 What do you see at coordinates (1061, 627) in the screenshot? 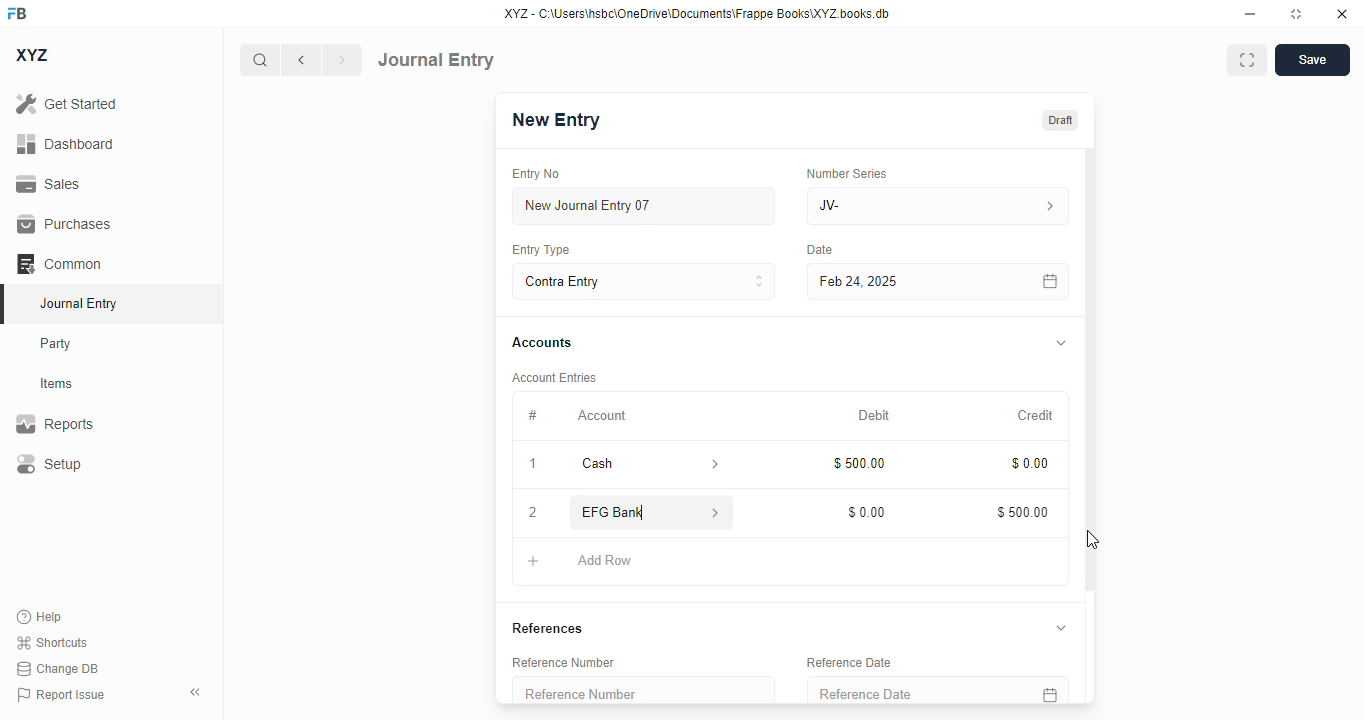
I see `toggle expand/collapse` at bounding box center [1061, 627].